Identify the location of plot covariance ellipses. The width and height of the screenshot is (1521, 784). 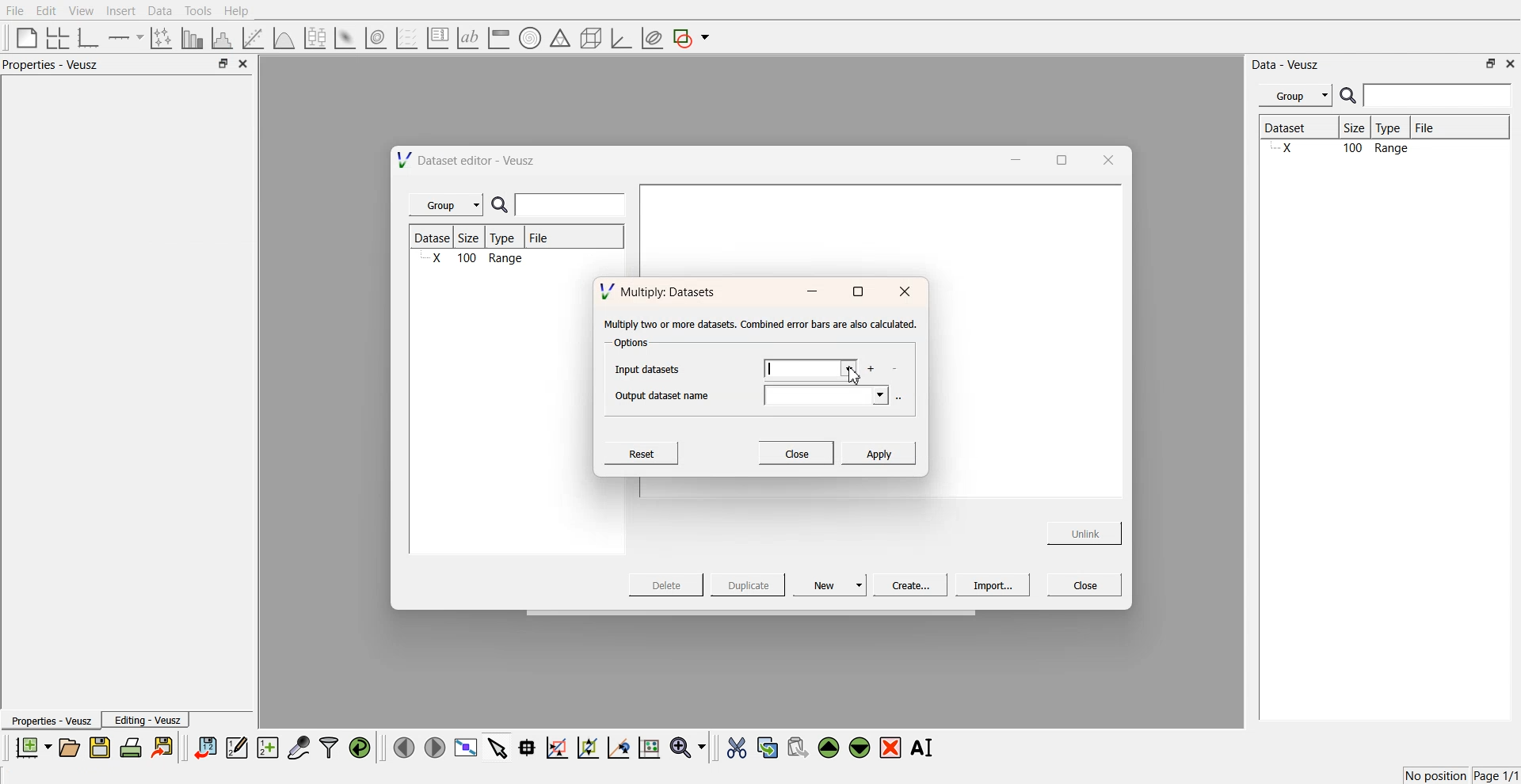
(651, 39).